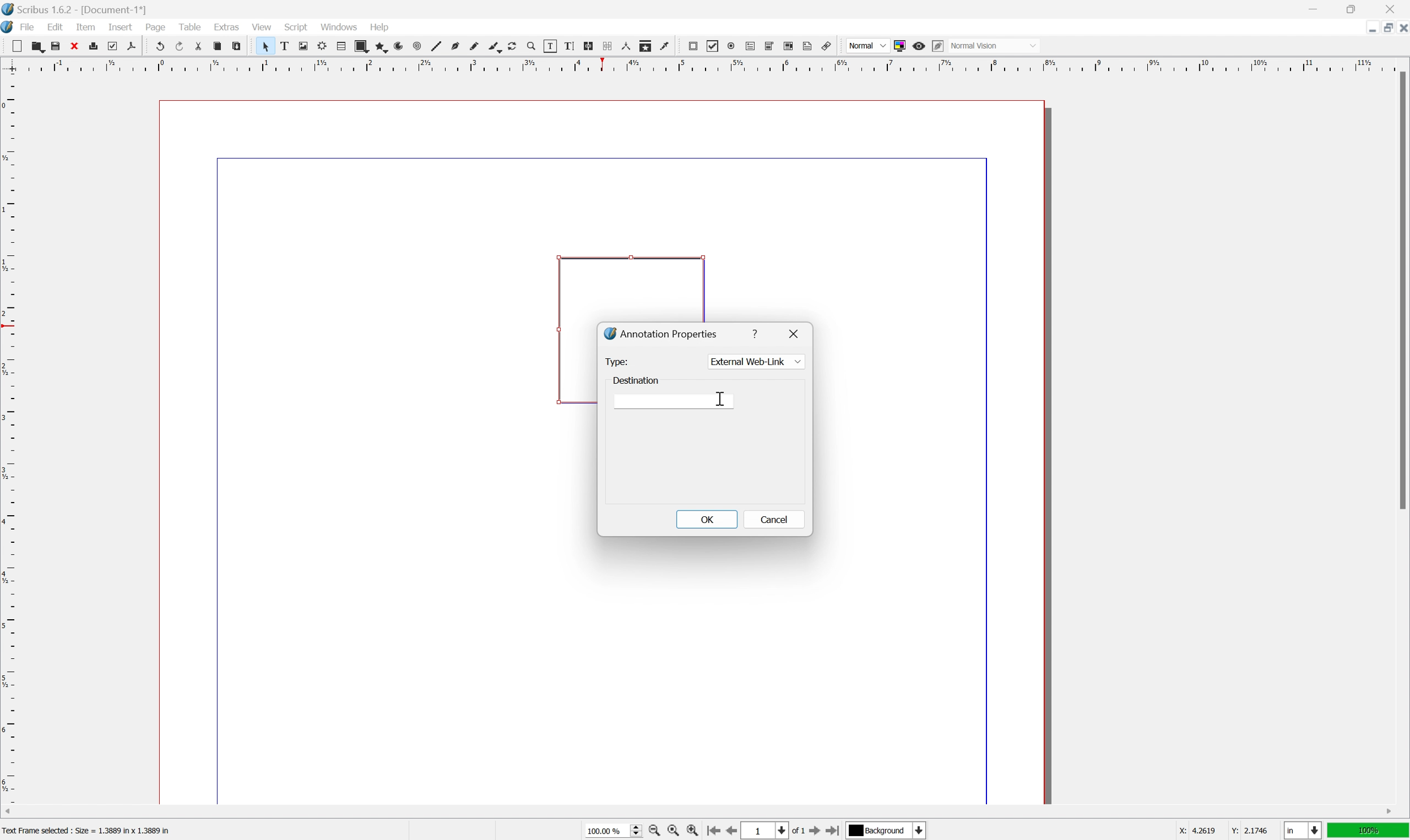 This screenshot has width=1410, height=840. What do you see at coordinates (1391, 9) in the screenshot?
I see `close` at bounding box center [1391, 9].